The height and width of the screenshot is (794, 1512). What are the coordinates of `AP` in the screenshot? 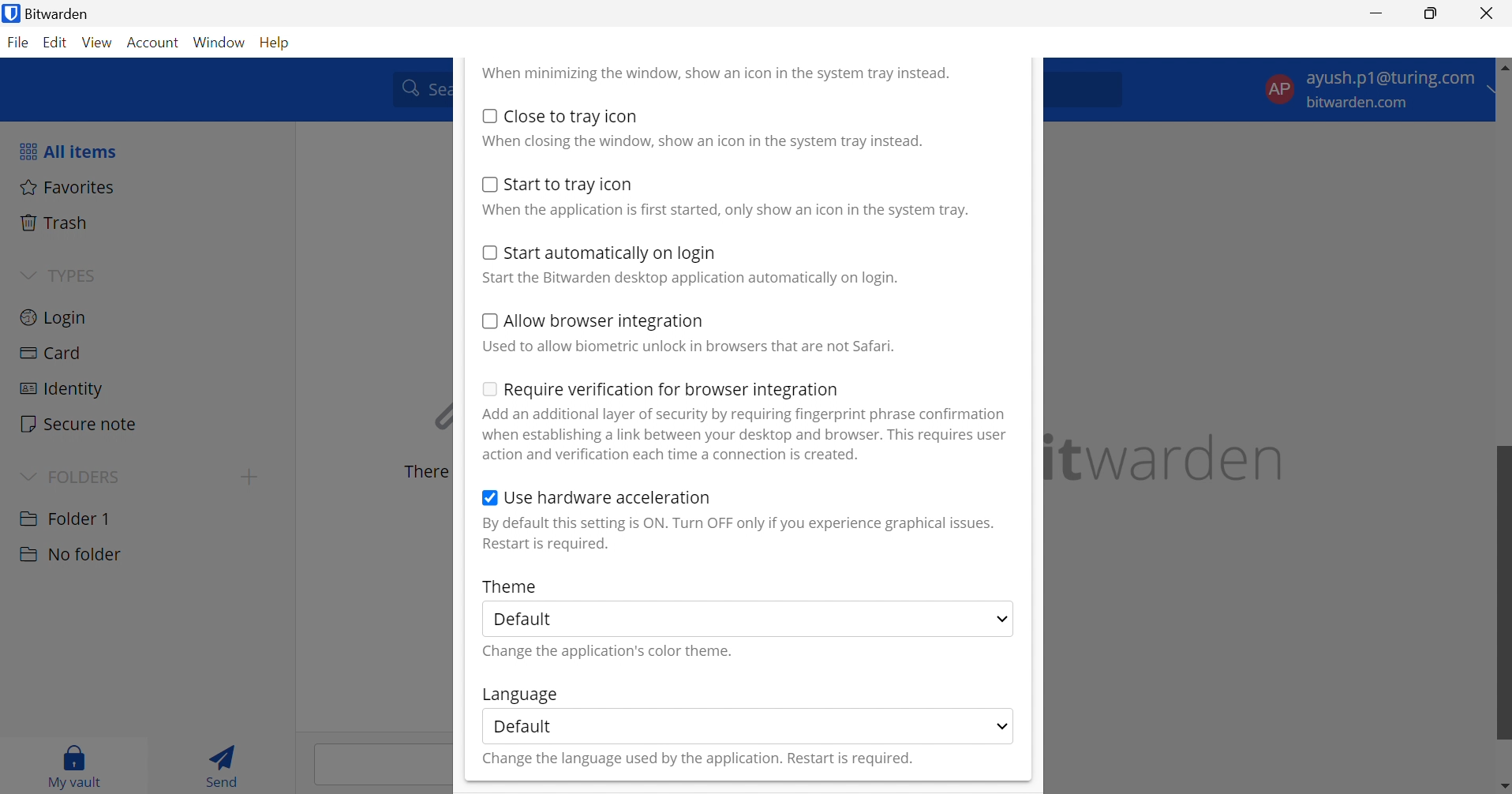 It's located at (1278, 88).